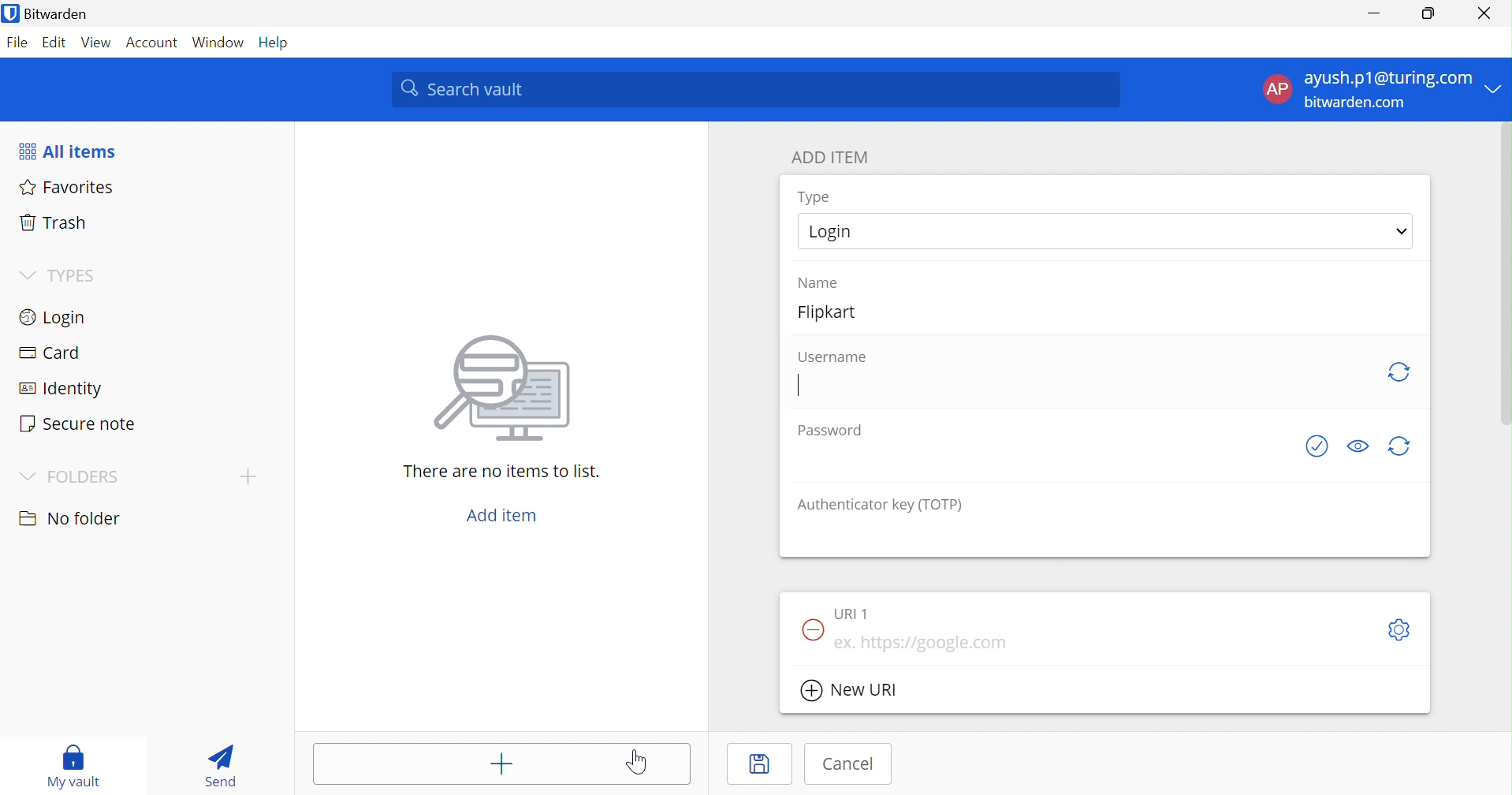 The width and height of the screenshot is (1512, 795). Describe the element at coordinates (70, 151) in the screenshot. I see `All items` at that location.